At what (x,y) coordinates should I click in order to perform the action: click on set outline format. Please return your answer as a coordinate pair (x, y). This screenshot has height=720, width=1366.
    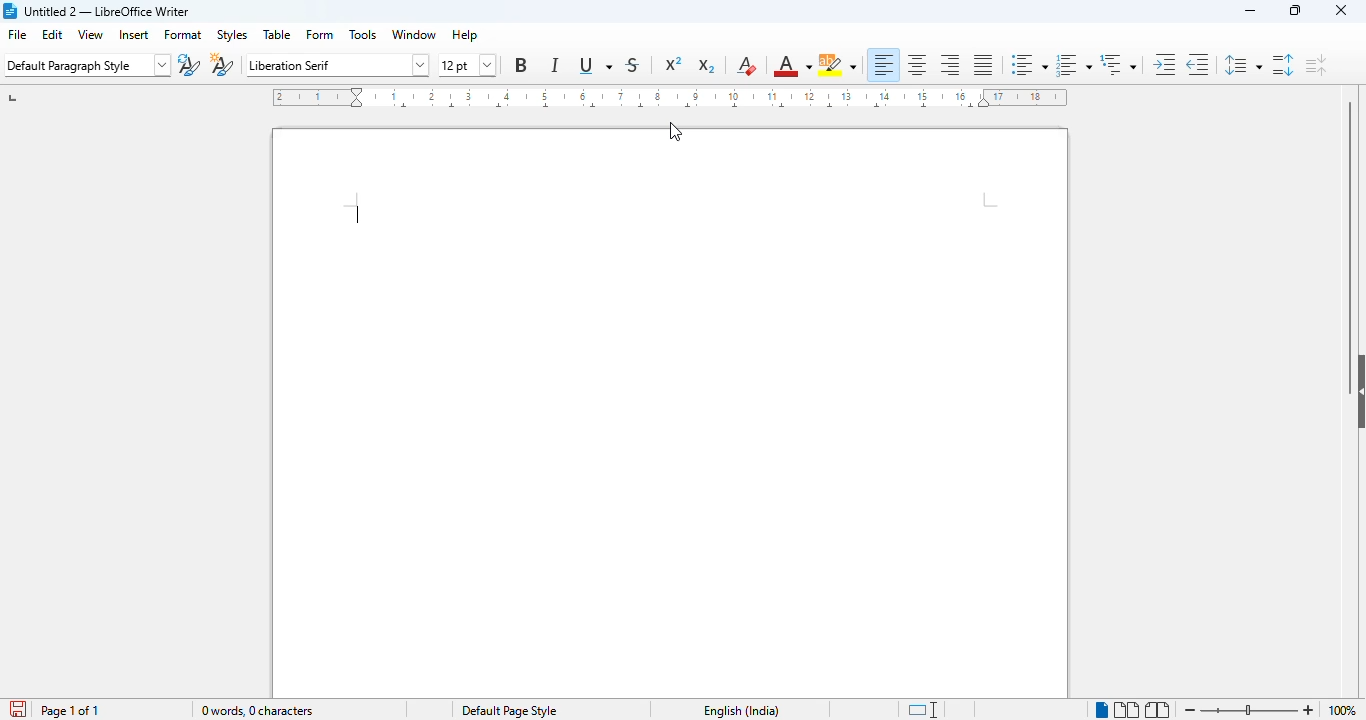
    Looking at the image, I should click on (1118, 65).